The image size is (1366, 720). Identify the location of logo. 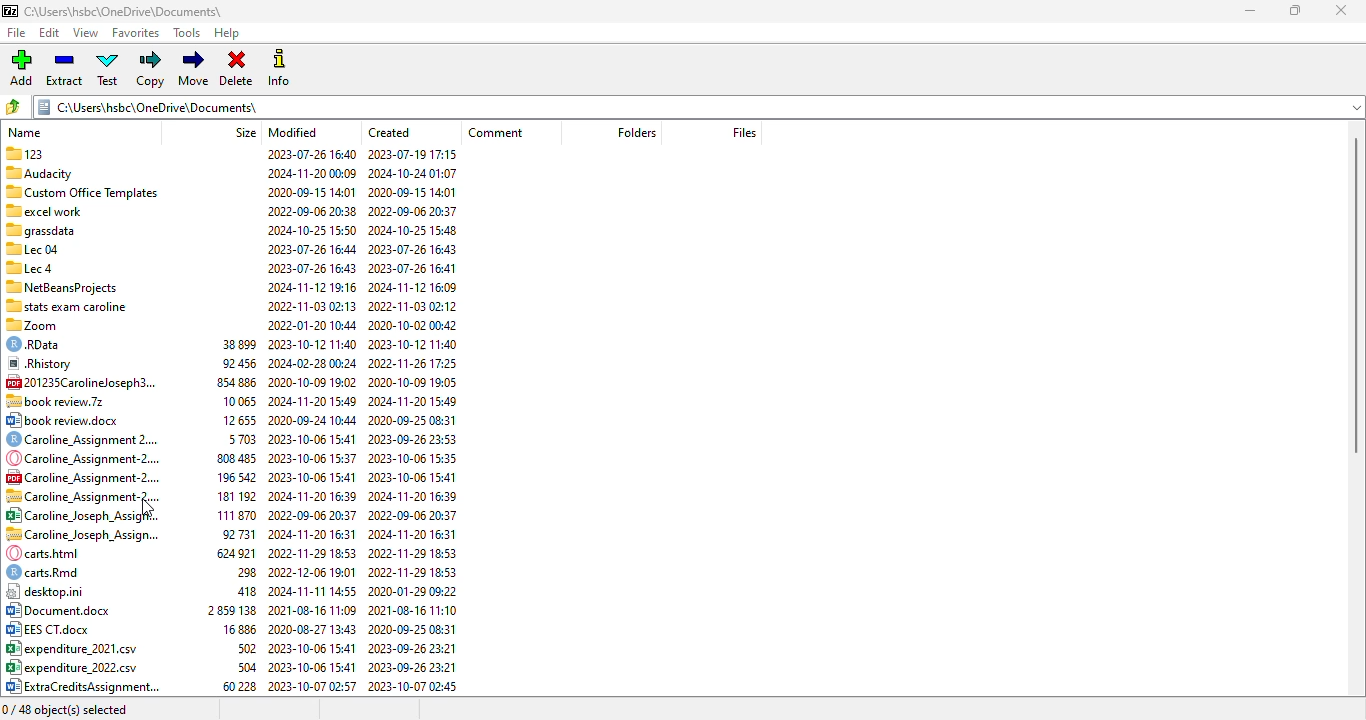
(9, 11).